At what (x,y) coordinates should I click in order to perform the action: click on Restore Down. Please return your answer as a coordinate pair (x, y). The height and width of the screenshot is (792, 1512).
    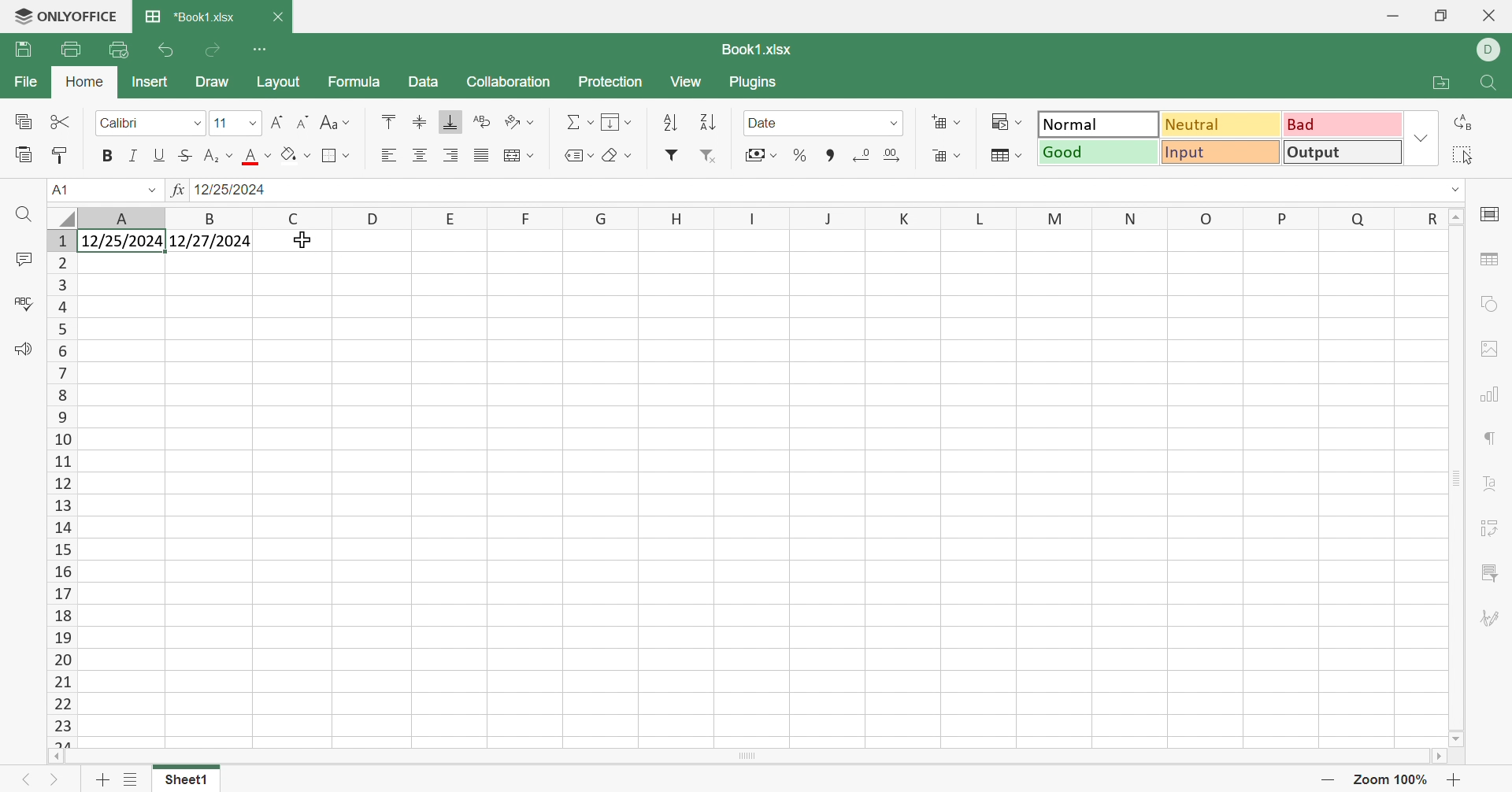
    Looking at the image, I should click on (1442, 16).